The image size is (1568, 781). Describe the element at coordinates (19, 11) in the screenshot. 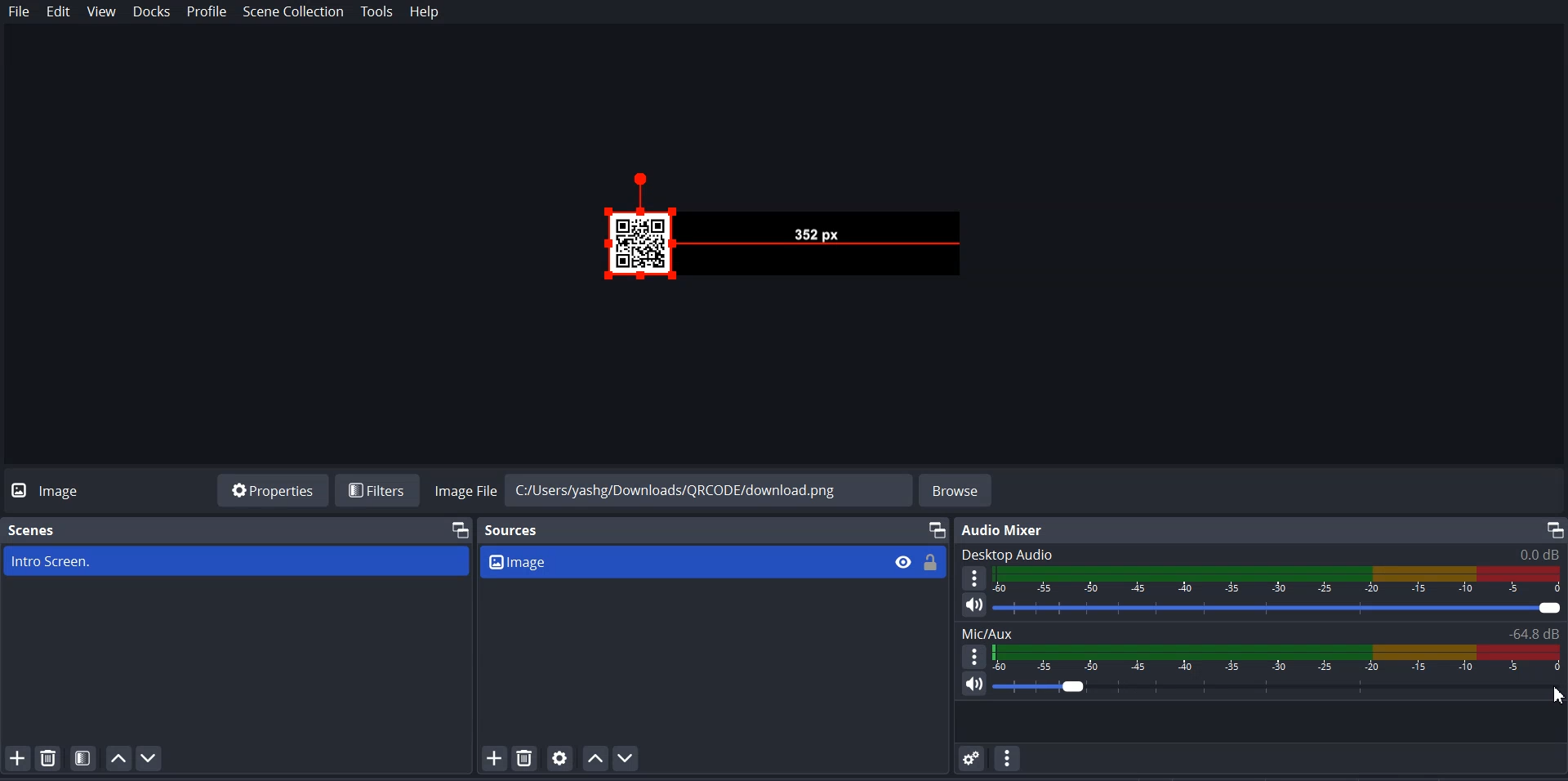

I see `File` at that location.